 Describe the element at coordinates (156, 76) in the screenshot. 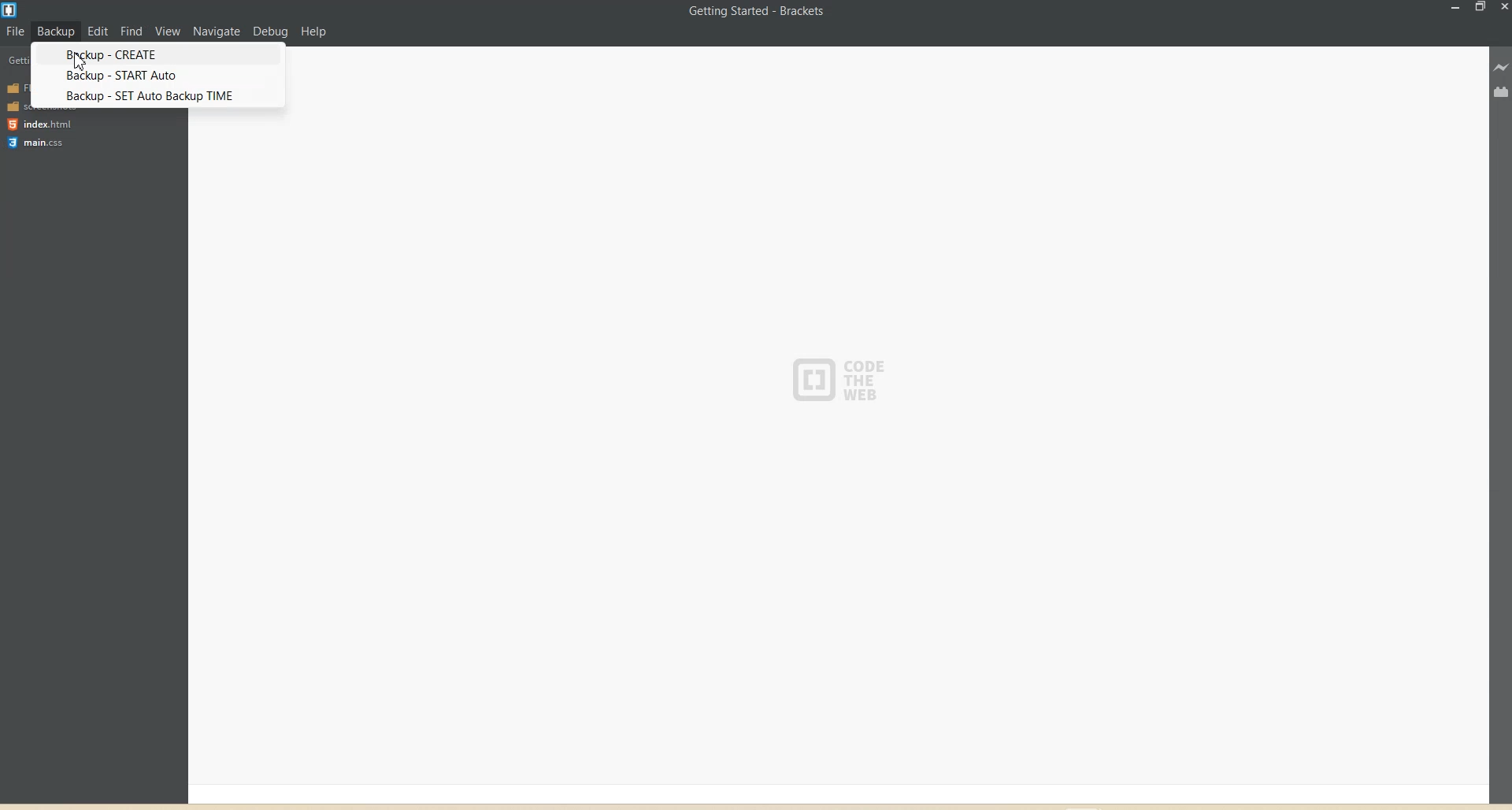

I see `Backup-START Auto` at that location.